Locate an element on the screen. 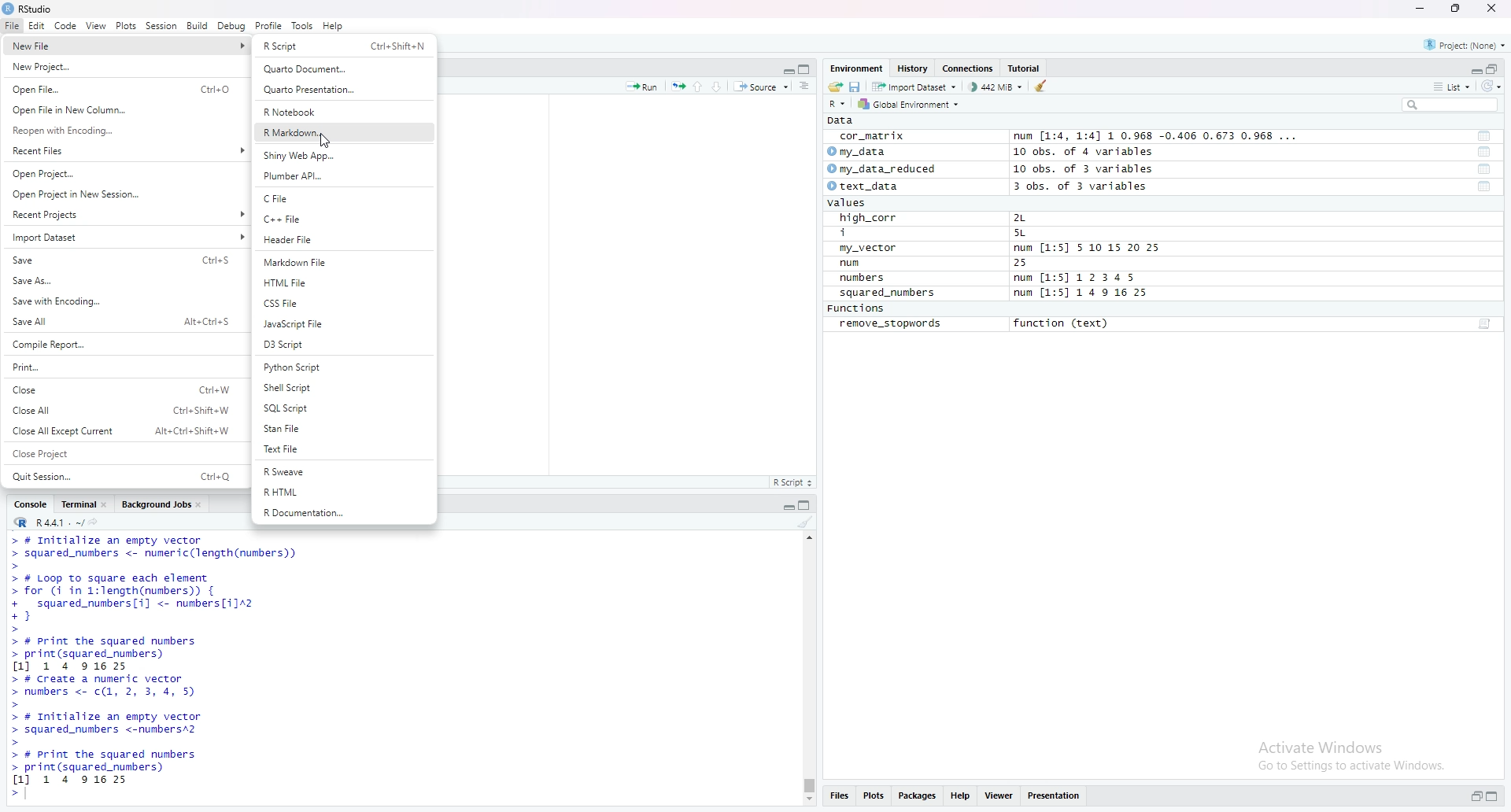 The width and height of the screenshot is (1511, 812). Open Project in New Session... is located at coordinates (122, 194).